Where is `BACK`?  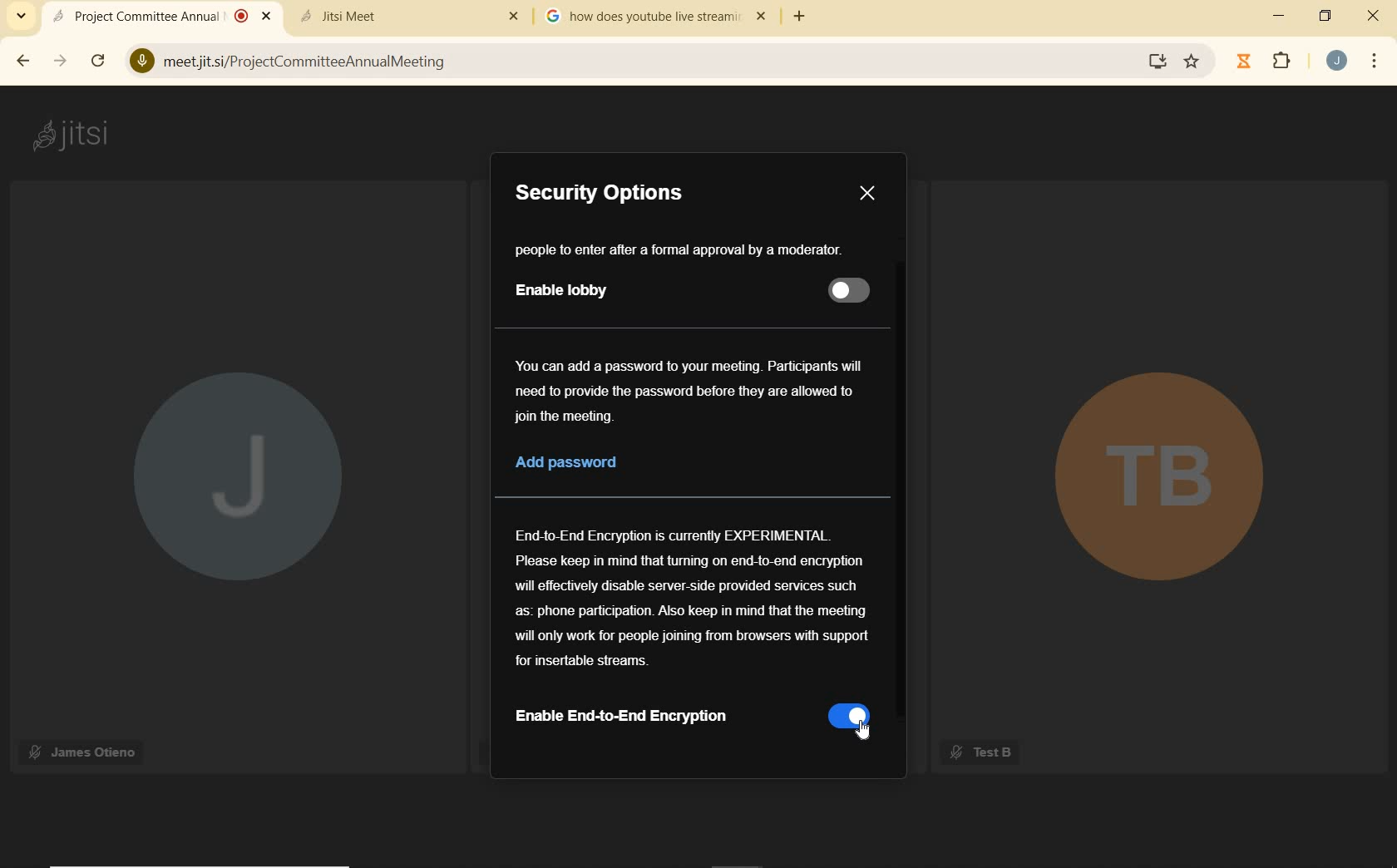 BACK is located at coordinates (20, 62).